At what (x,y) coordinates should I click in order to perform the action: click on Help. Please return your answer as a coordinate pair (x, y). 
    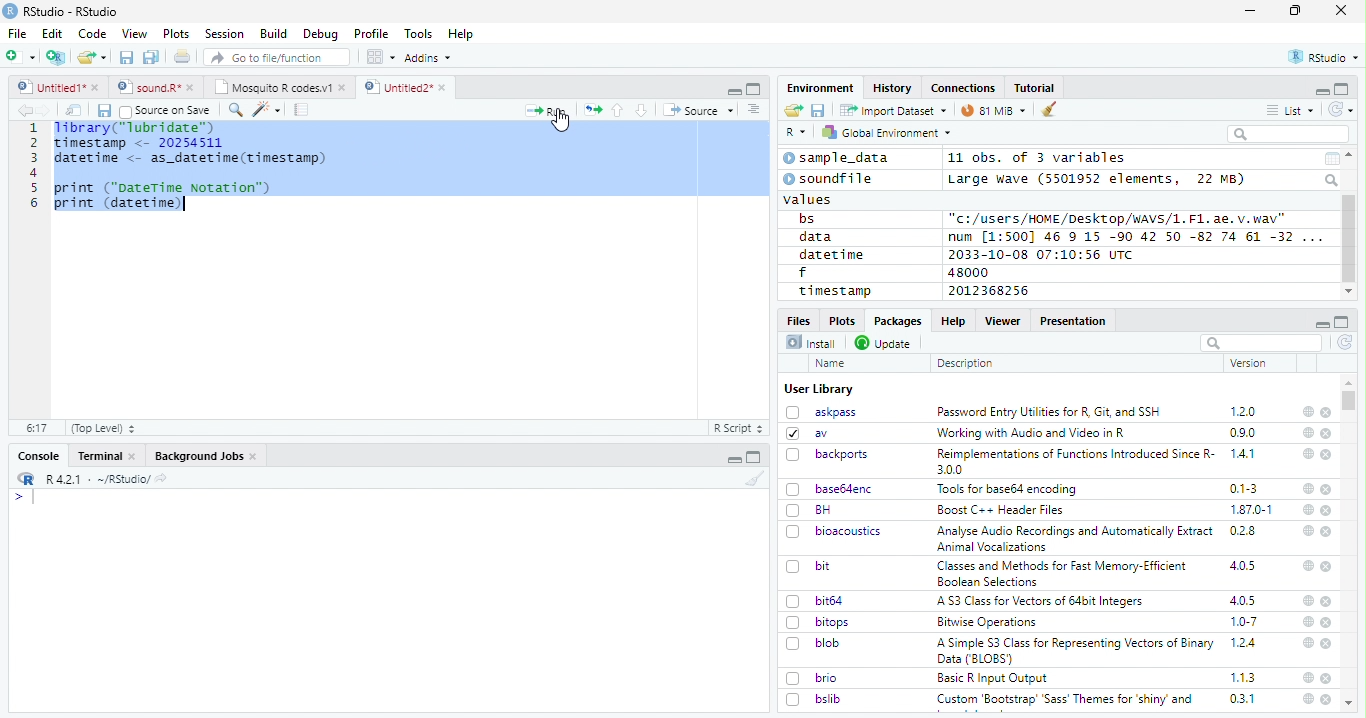
    Looking at the image, I should click on (461, 35).